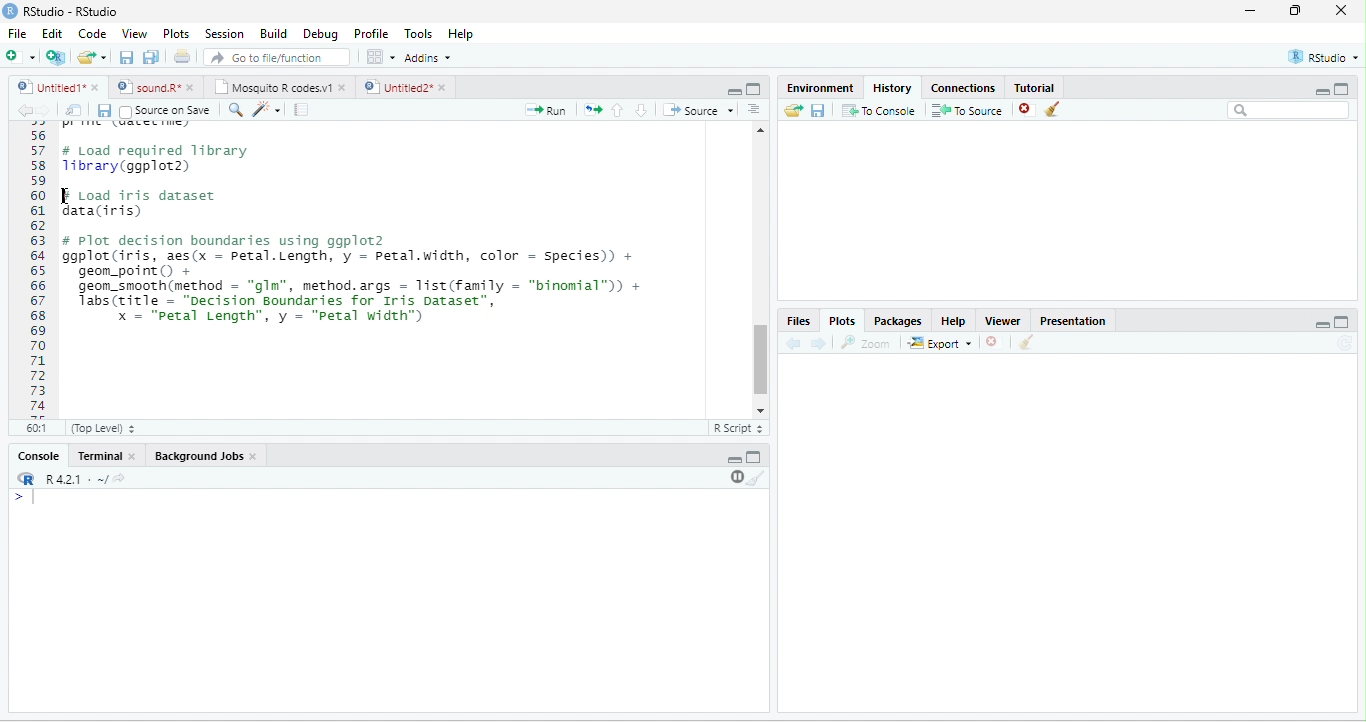  What do you see at coordinates (818, 344) in the screenshot?
I see `forward` at bounding box center [818, 344].